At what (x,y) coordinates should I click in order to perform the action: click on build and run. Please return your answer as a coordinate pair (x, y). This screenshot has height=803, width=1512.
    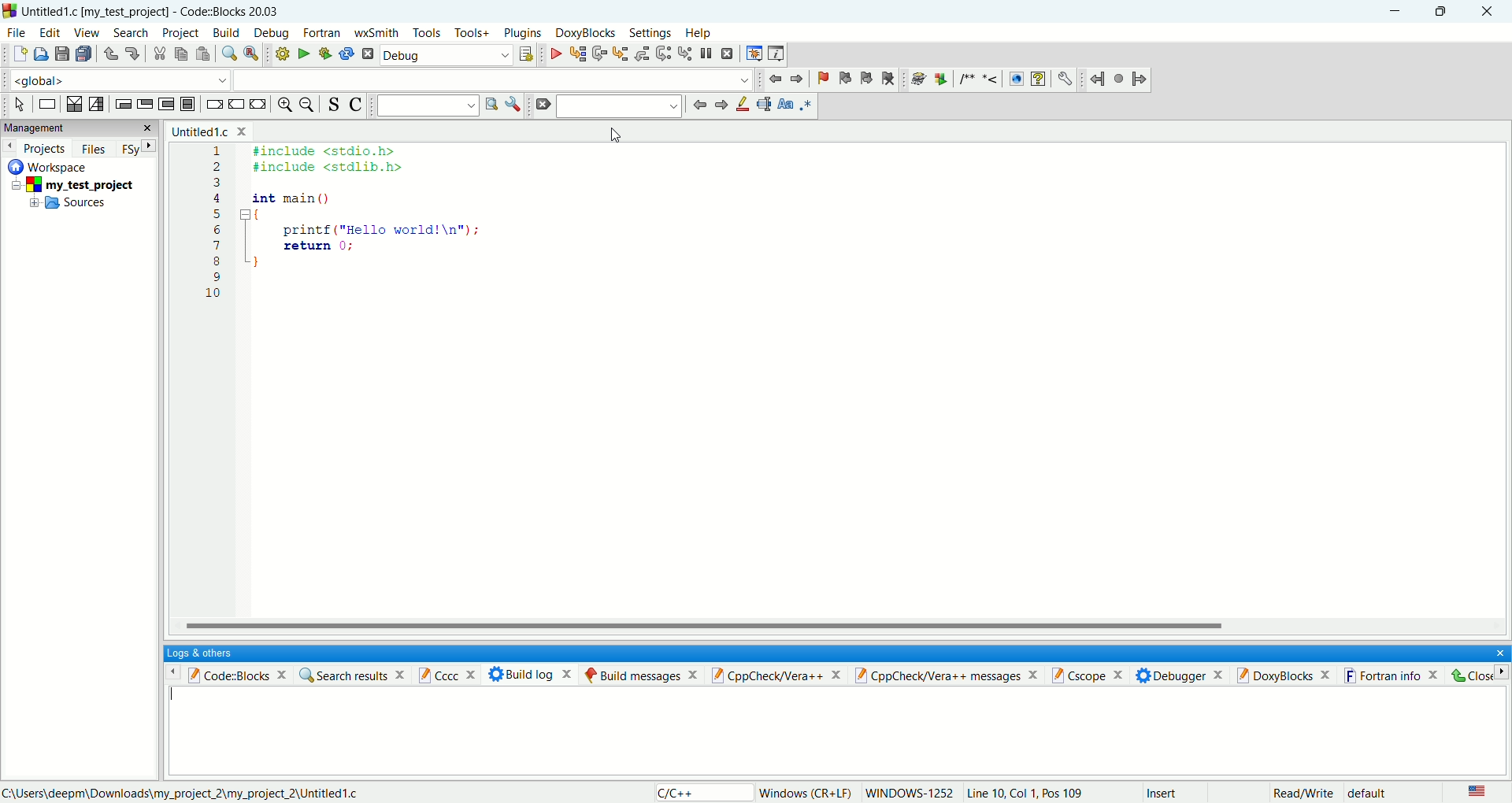
    Looking at the image, I should click on (321, 54).